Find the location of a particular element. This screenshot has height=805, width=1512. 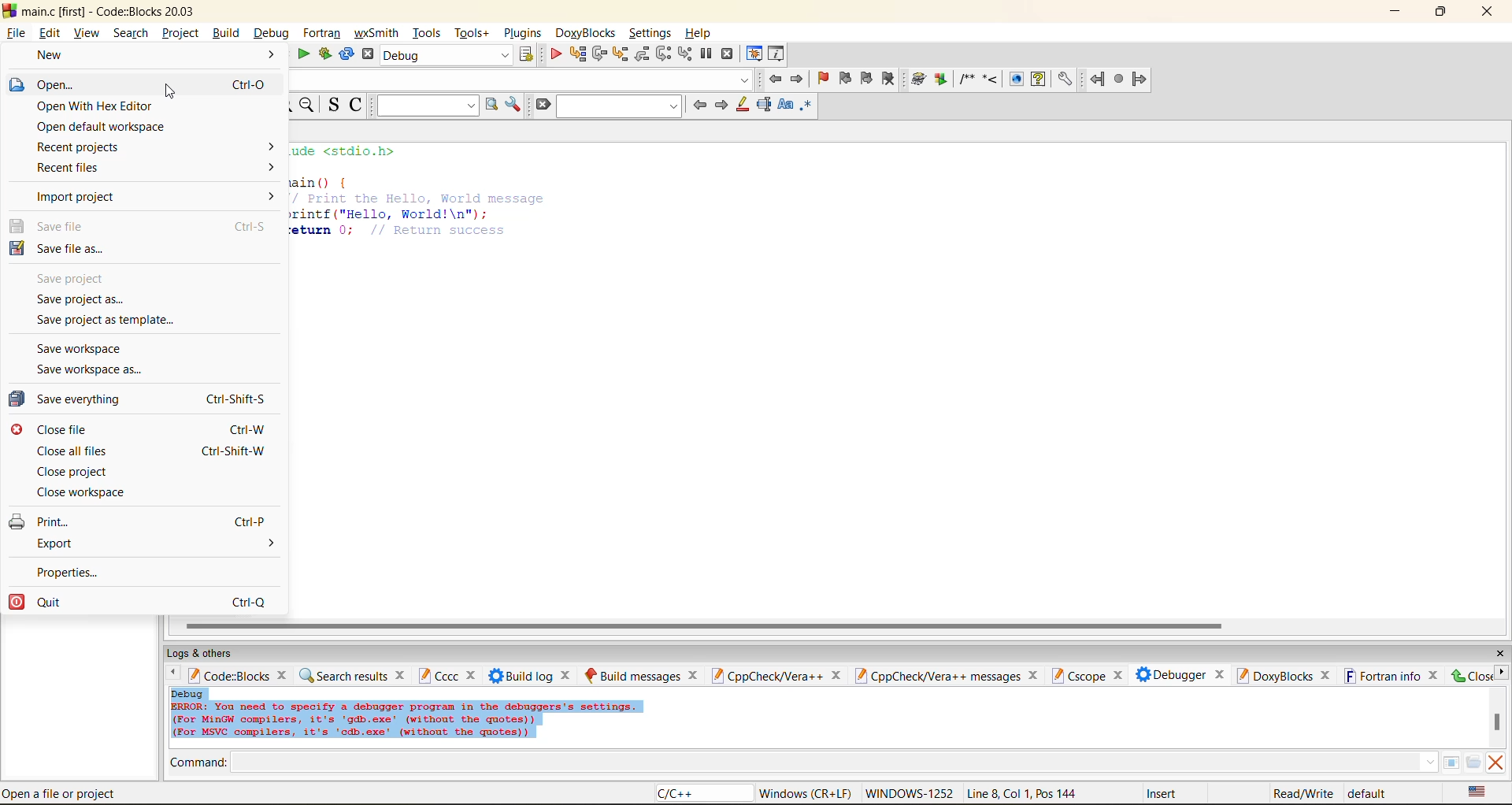

toggle comments is located at coordinates (358, 104).